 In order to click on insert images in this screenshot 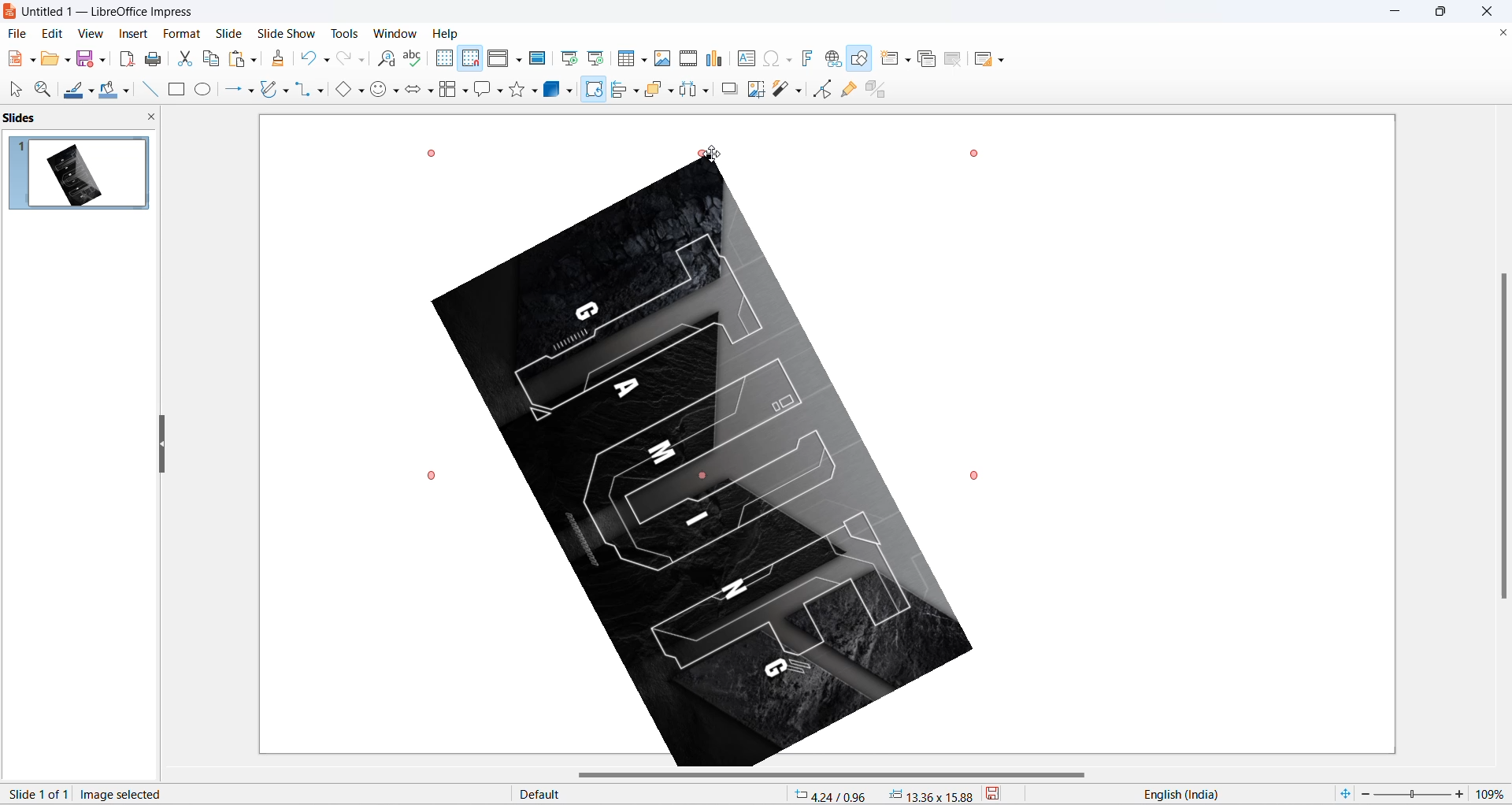, I will do `click(663, 58)`.